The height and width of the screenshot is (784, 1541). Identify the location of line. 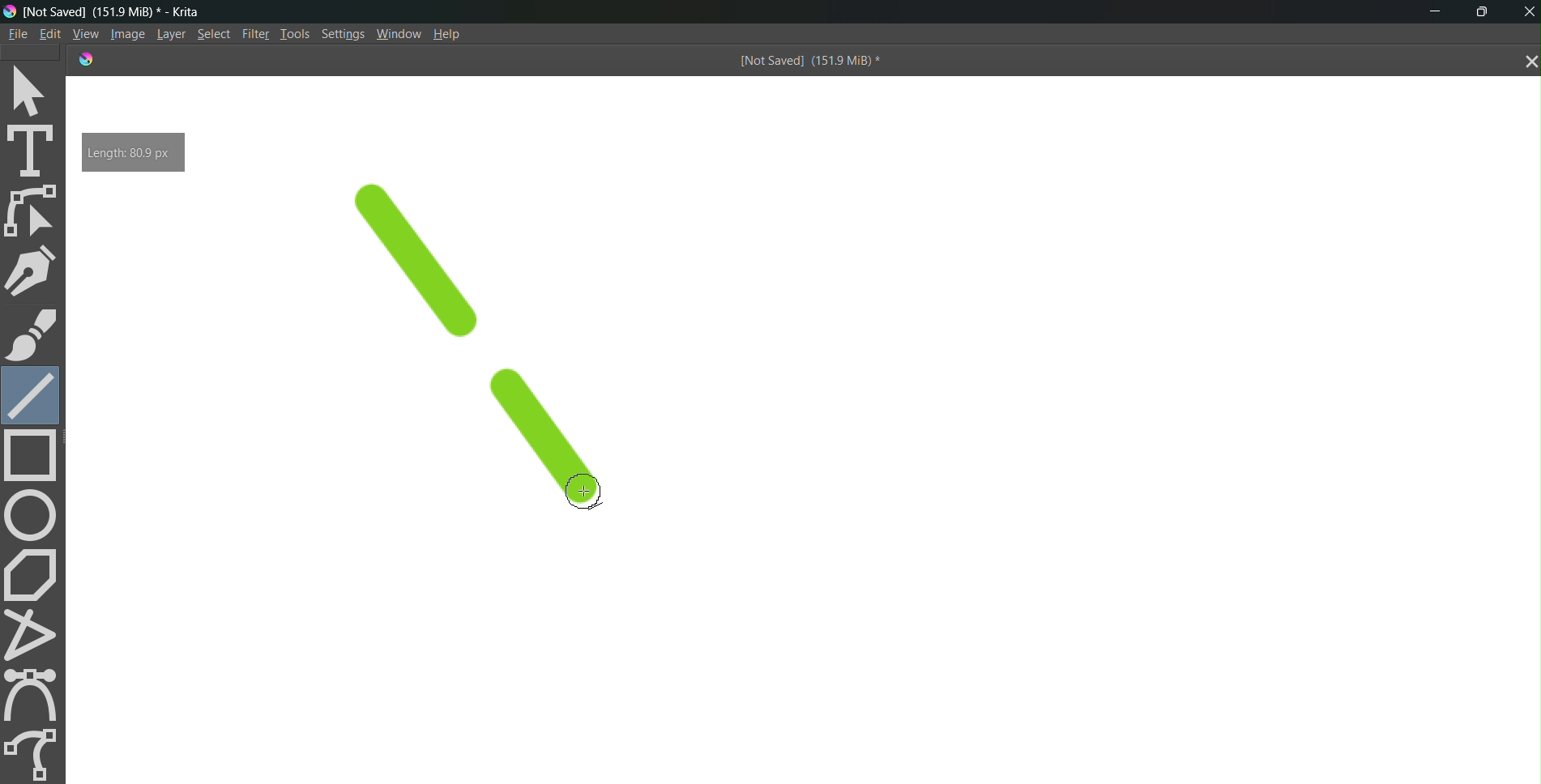
(31, 393).